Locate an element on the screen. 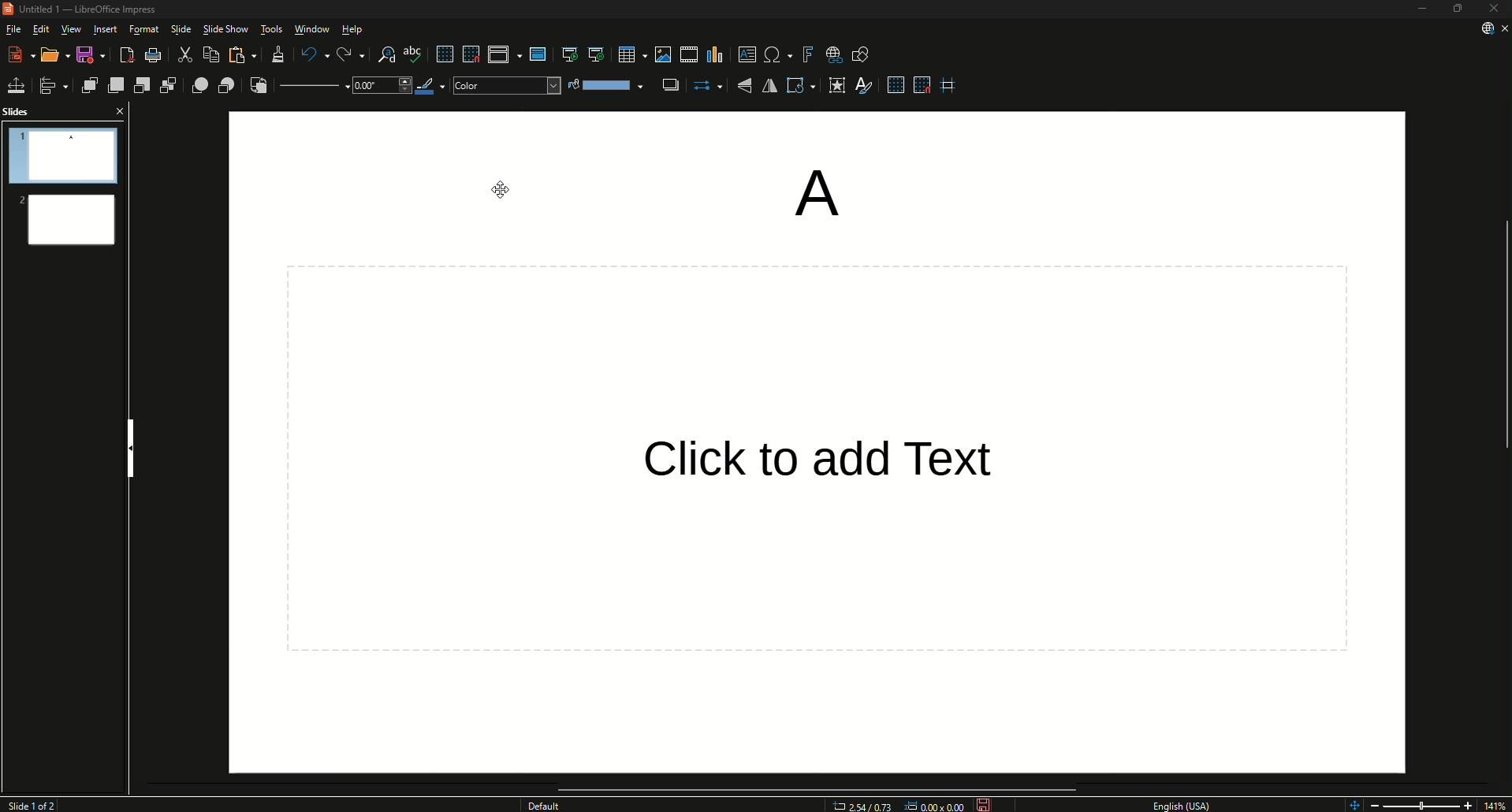  Send Backward is located at coordinates (142, 85).